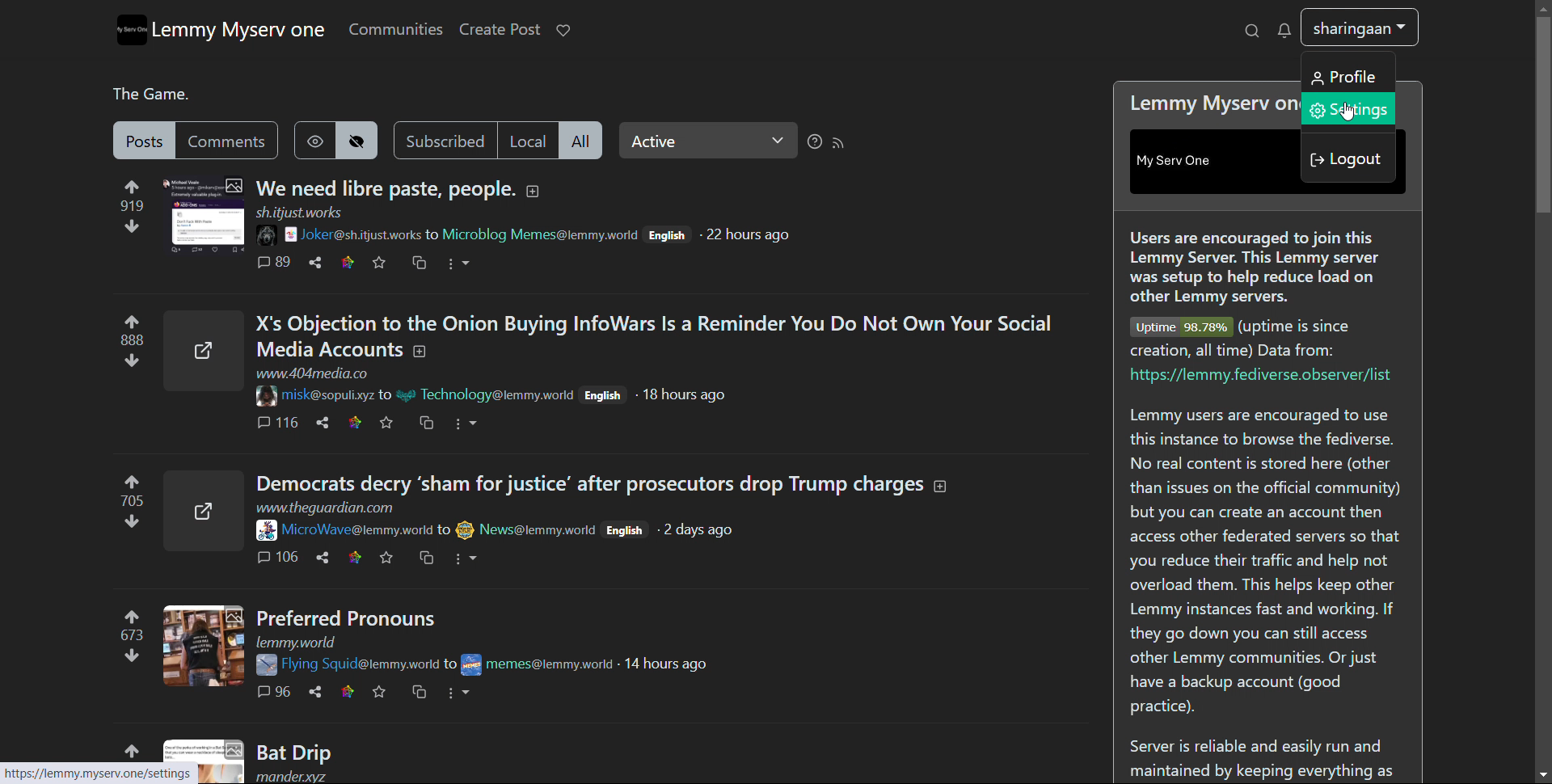 The image size is (1552, 784). Describe the element at coordinates (464, 529) in the screenshot. I see `poster display picture` at that location.